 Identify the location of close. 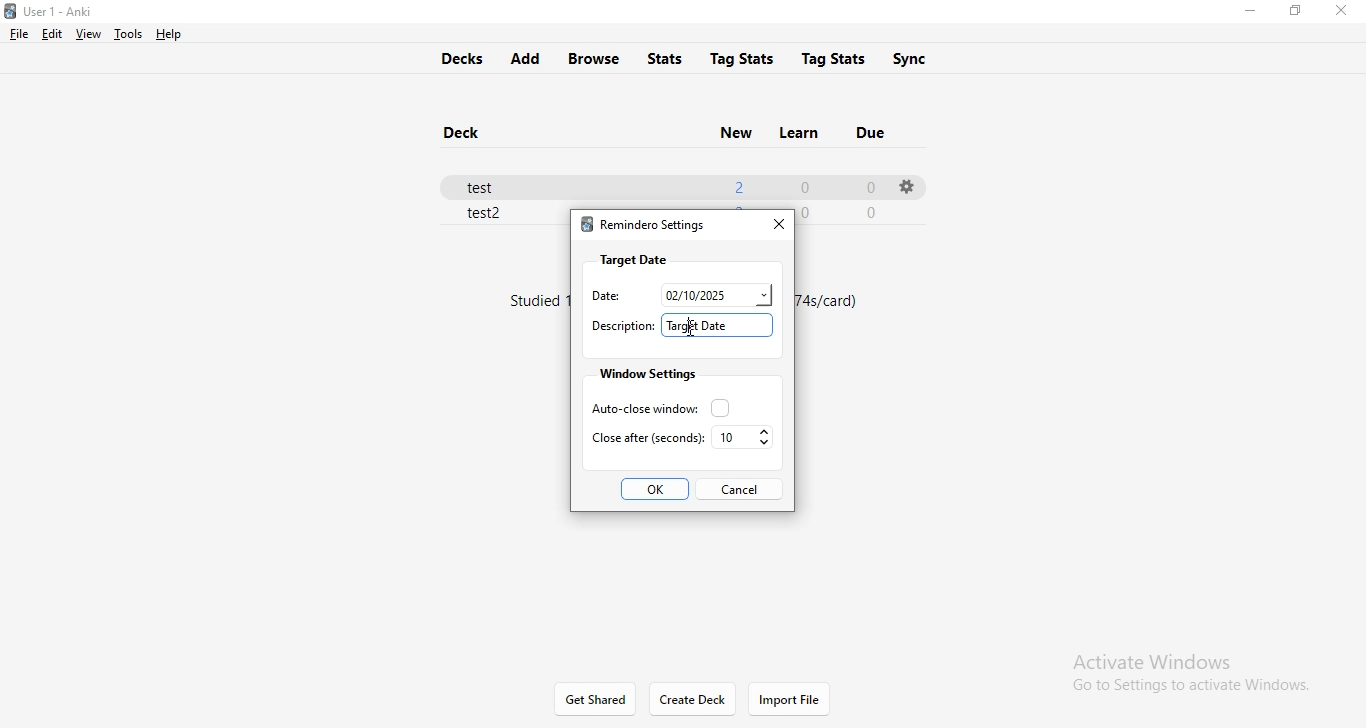
(1345, 11).